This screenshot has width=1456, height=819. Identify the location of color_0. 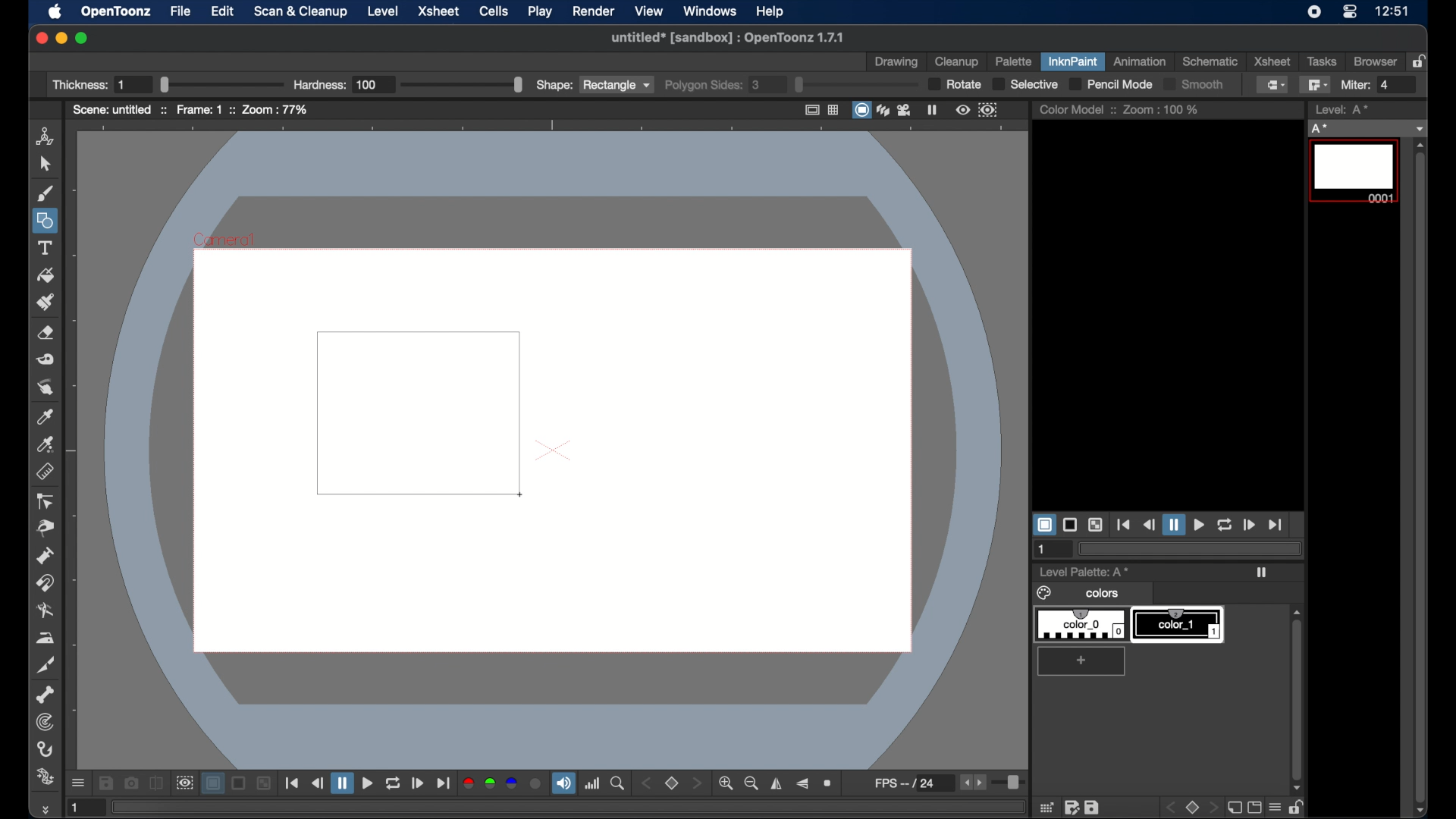
(1083, 625).